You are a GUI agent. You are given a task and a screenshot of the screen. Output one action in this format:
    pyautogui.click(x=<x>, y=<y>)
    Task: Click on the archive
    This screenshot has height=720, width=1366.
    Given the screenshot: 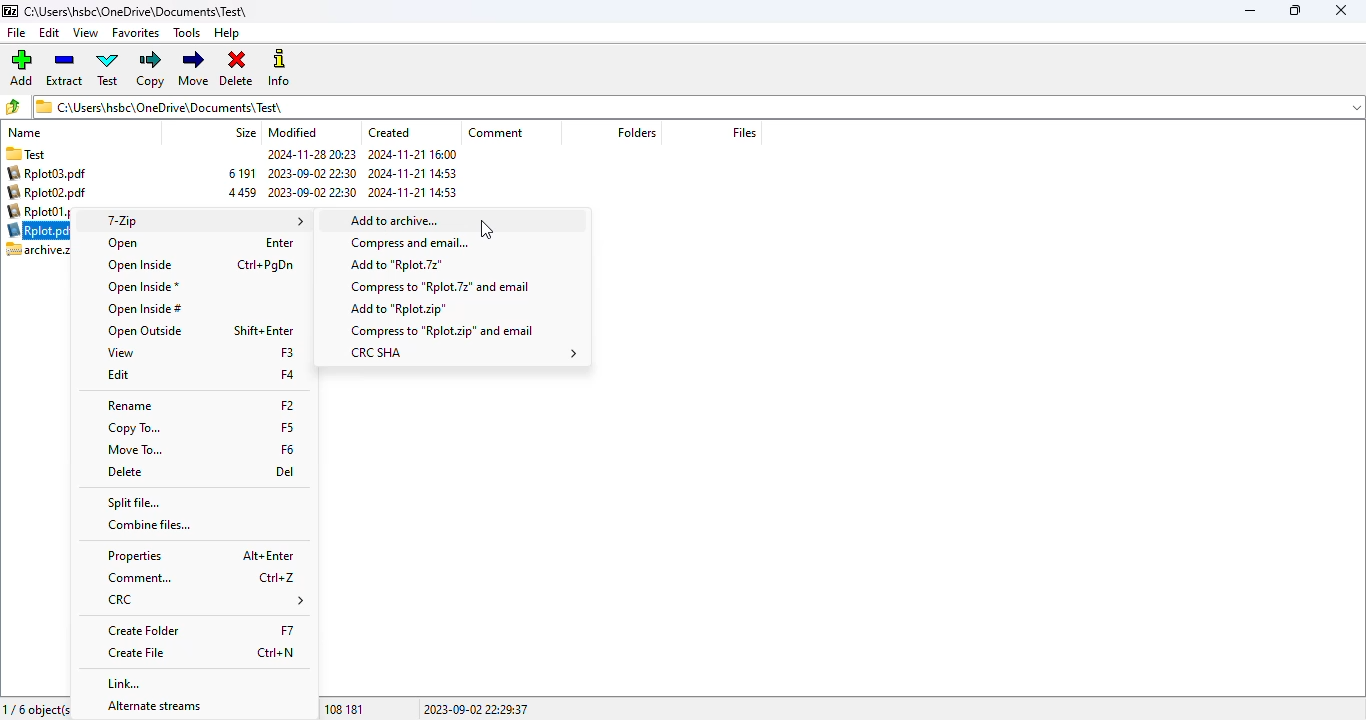 What is the action you would take?
    pyautogui.click(x=236, y=184)
    